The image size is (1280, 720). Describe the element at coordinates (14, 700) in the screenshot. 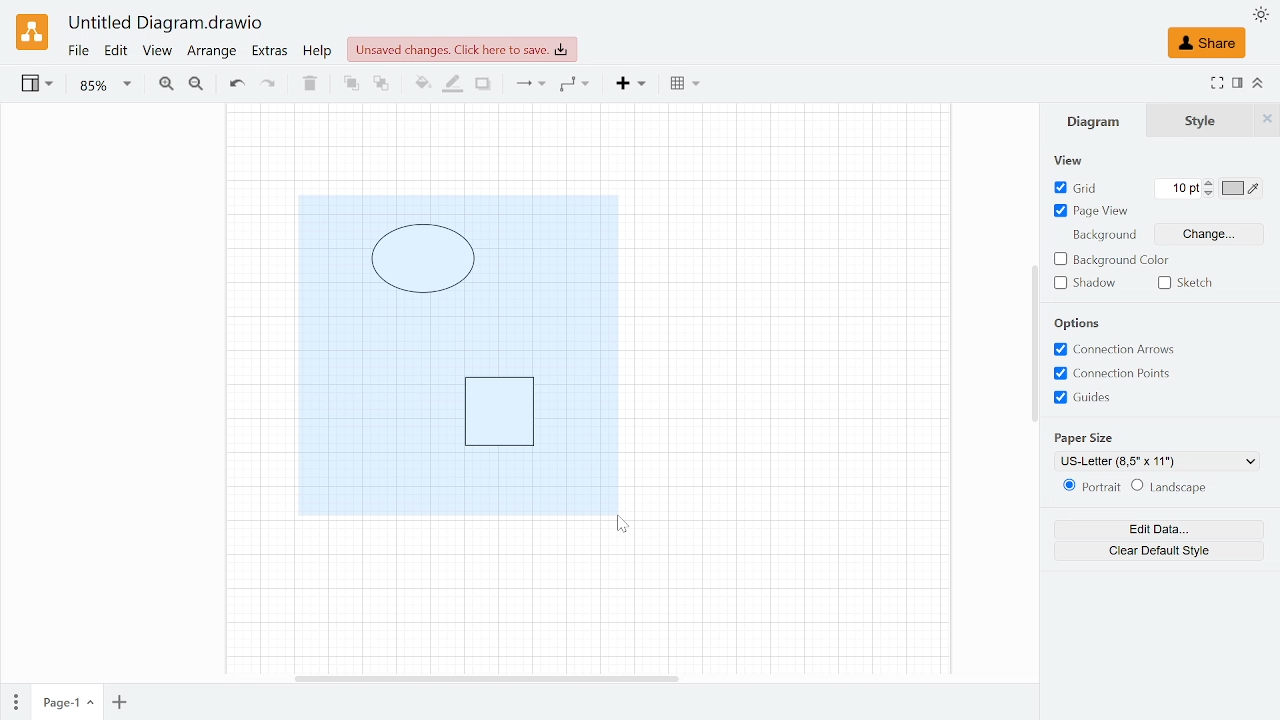

I see `Pages` at that location.